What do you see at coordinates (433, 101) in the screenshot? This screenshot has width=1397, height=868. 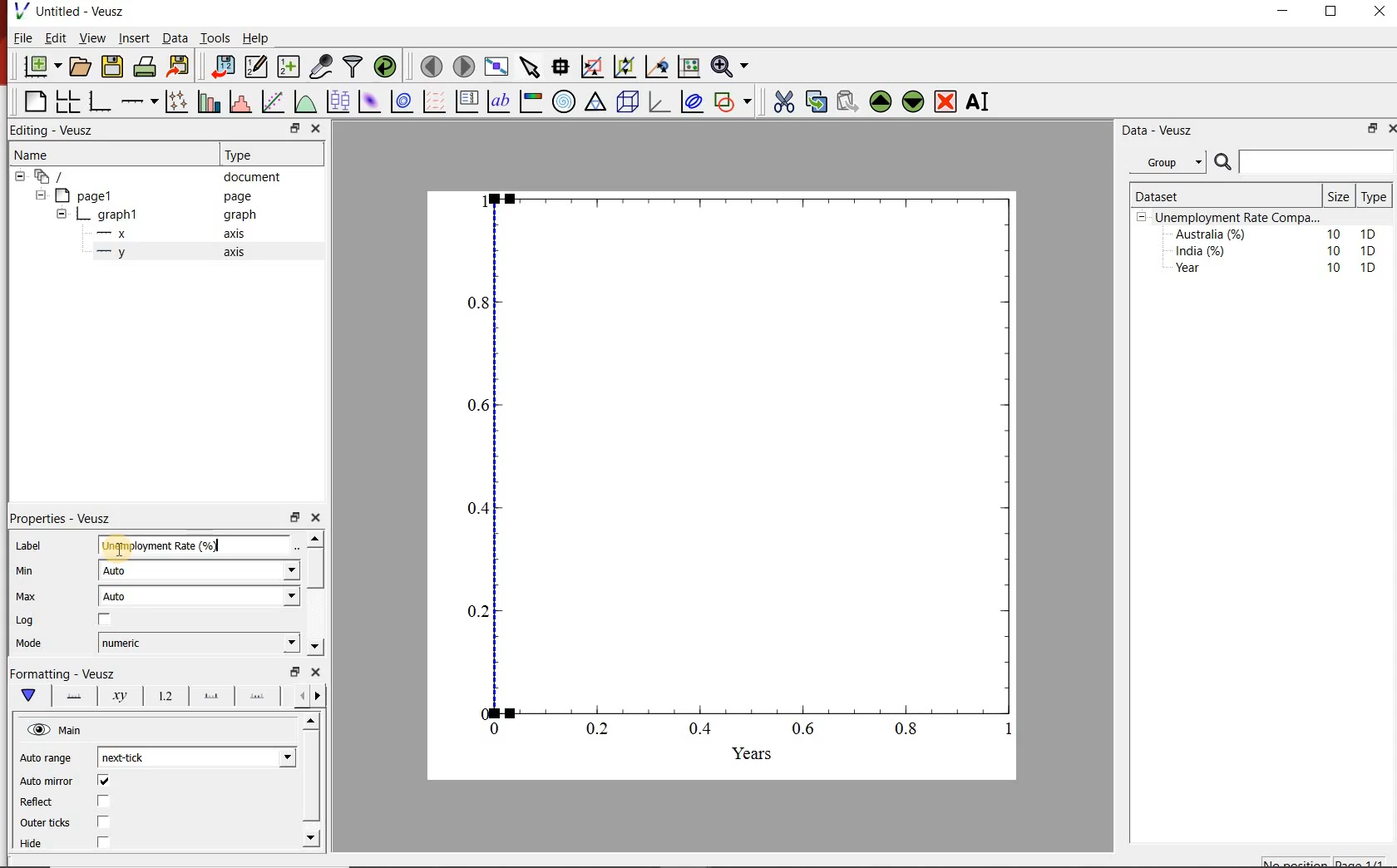 I see `plot vector field` at bounding box center [433, 101].